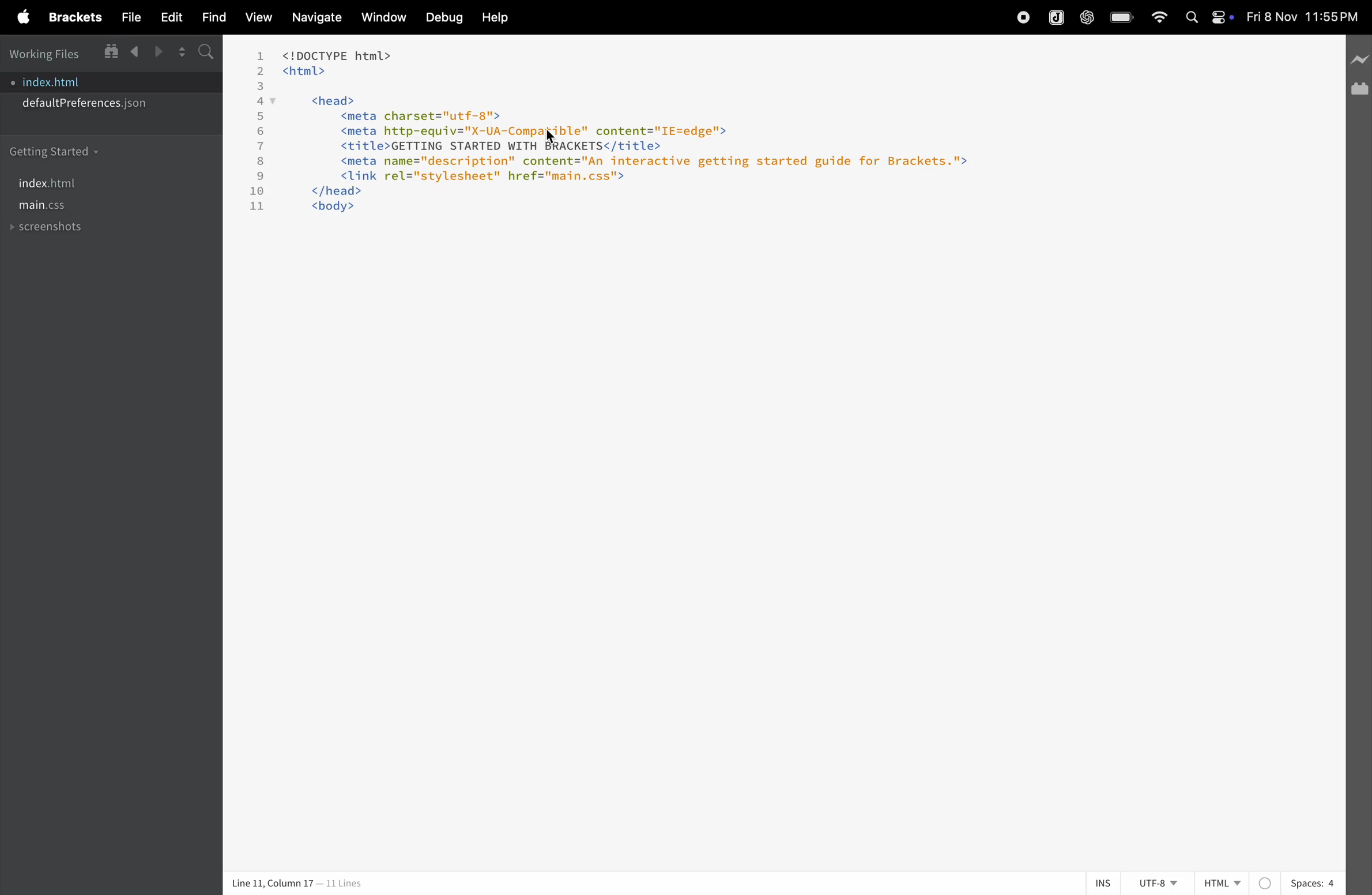  I want to click on live preview, so click(1359, 62).